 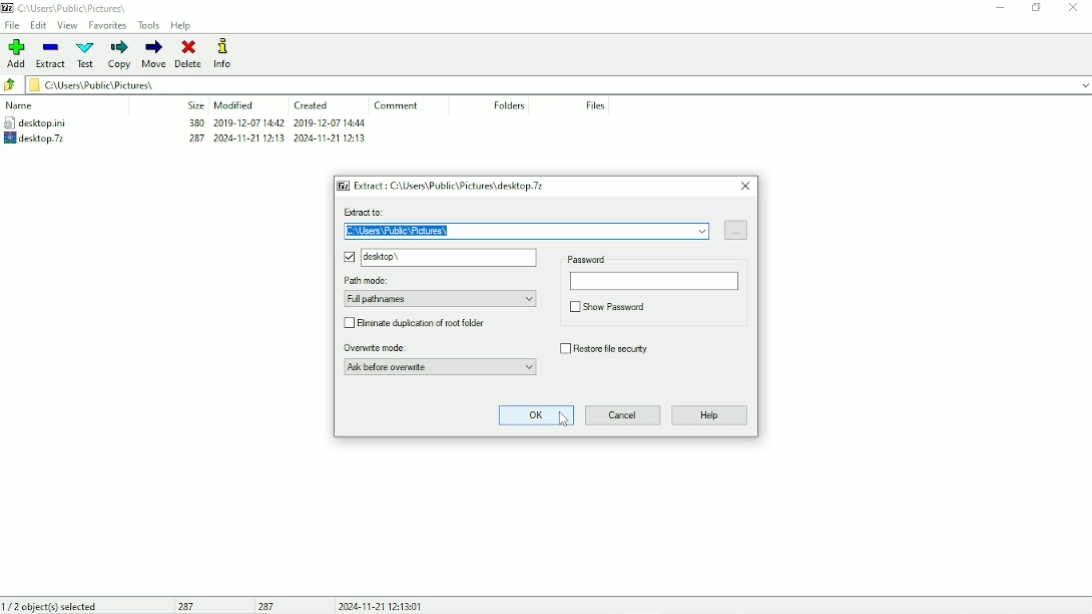 What do you see at coordinates (618, 306) in the screenshot?
I see `Show Password` at bounding box center [618, 306].